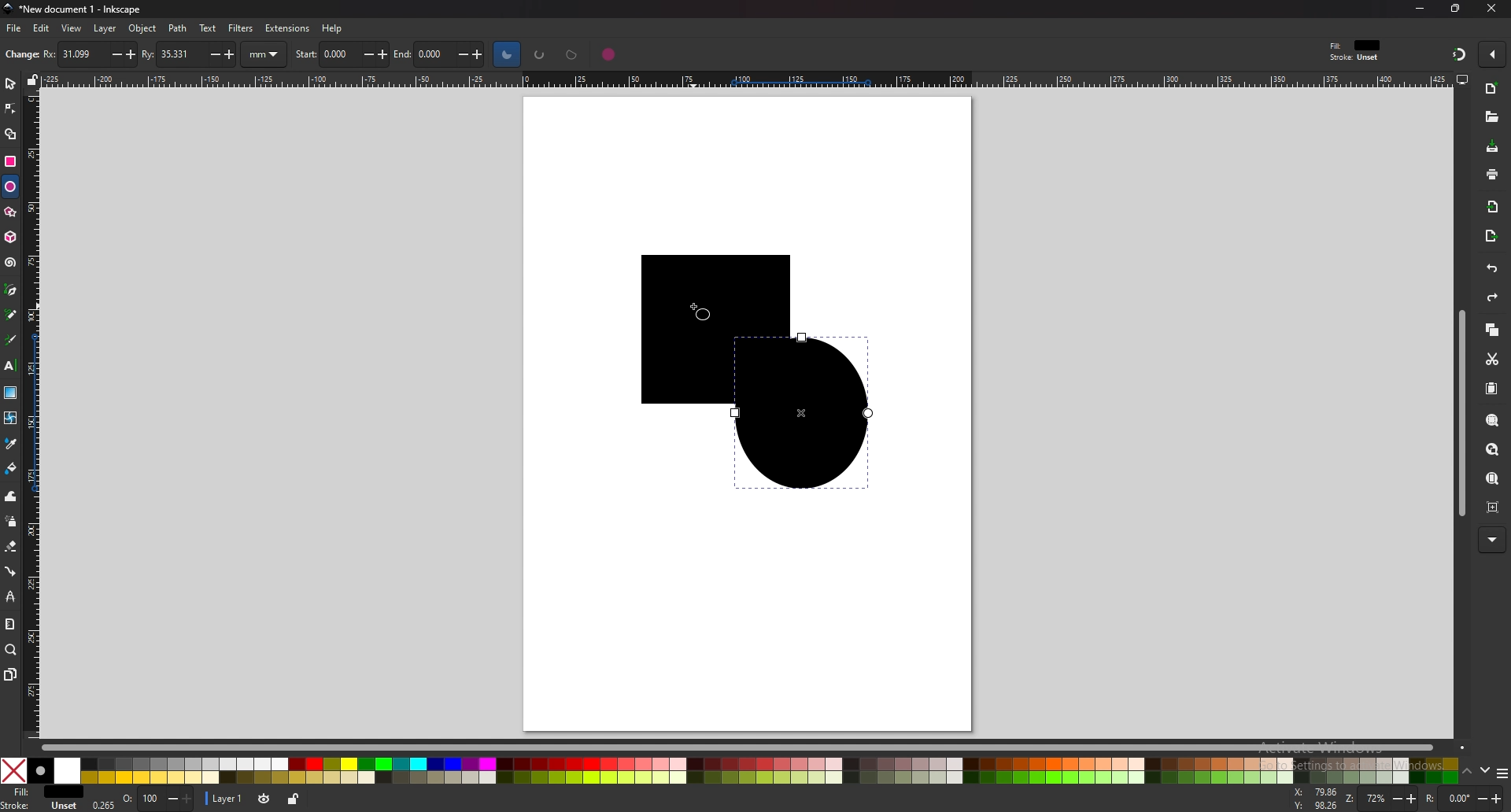  I want to click on gradient, so click(10, 393).